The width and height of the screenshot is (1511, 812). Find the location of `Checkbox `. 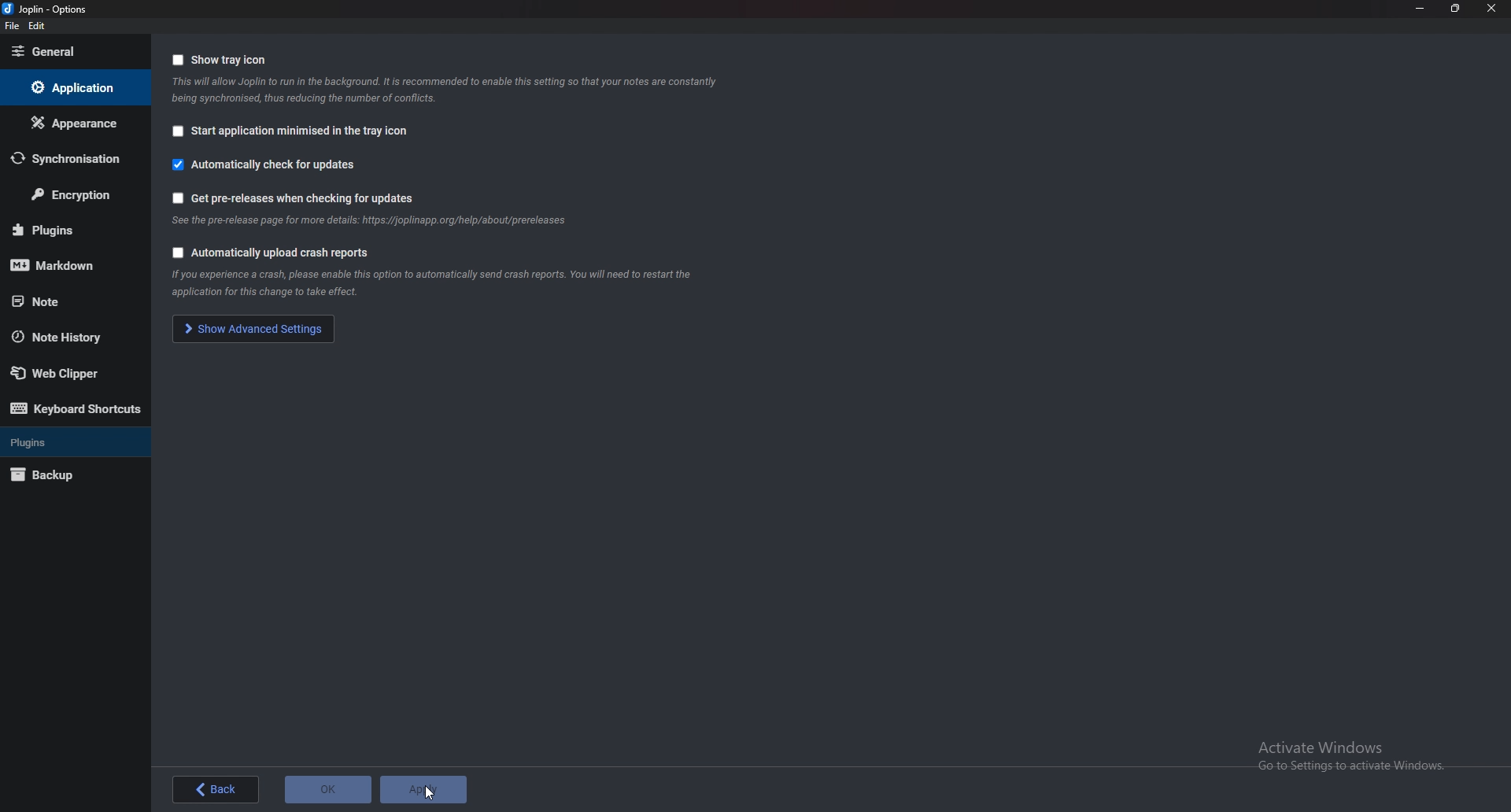

Checkbox  is located at coordinates (177, 61).